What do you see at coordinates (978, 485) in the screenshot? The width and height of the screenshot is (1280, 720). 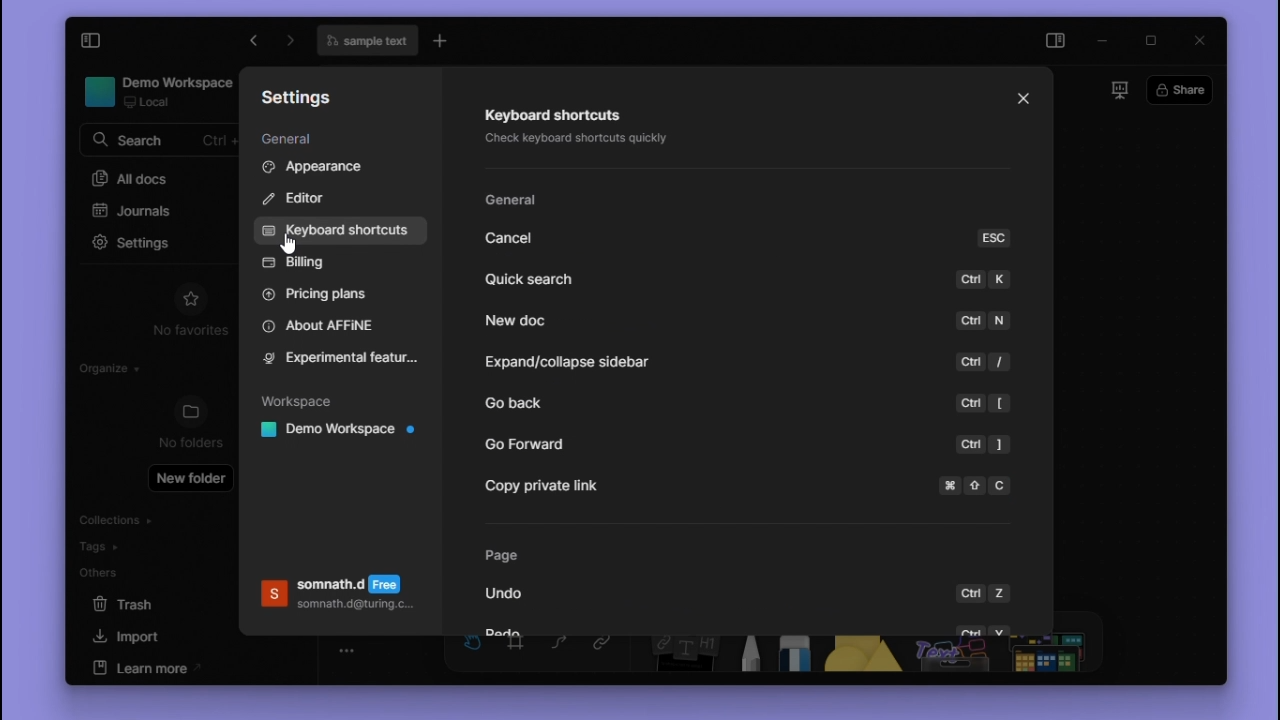 I see `Command Up Arrow C` at bounding box center [978, 485].